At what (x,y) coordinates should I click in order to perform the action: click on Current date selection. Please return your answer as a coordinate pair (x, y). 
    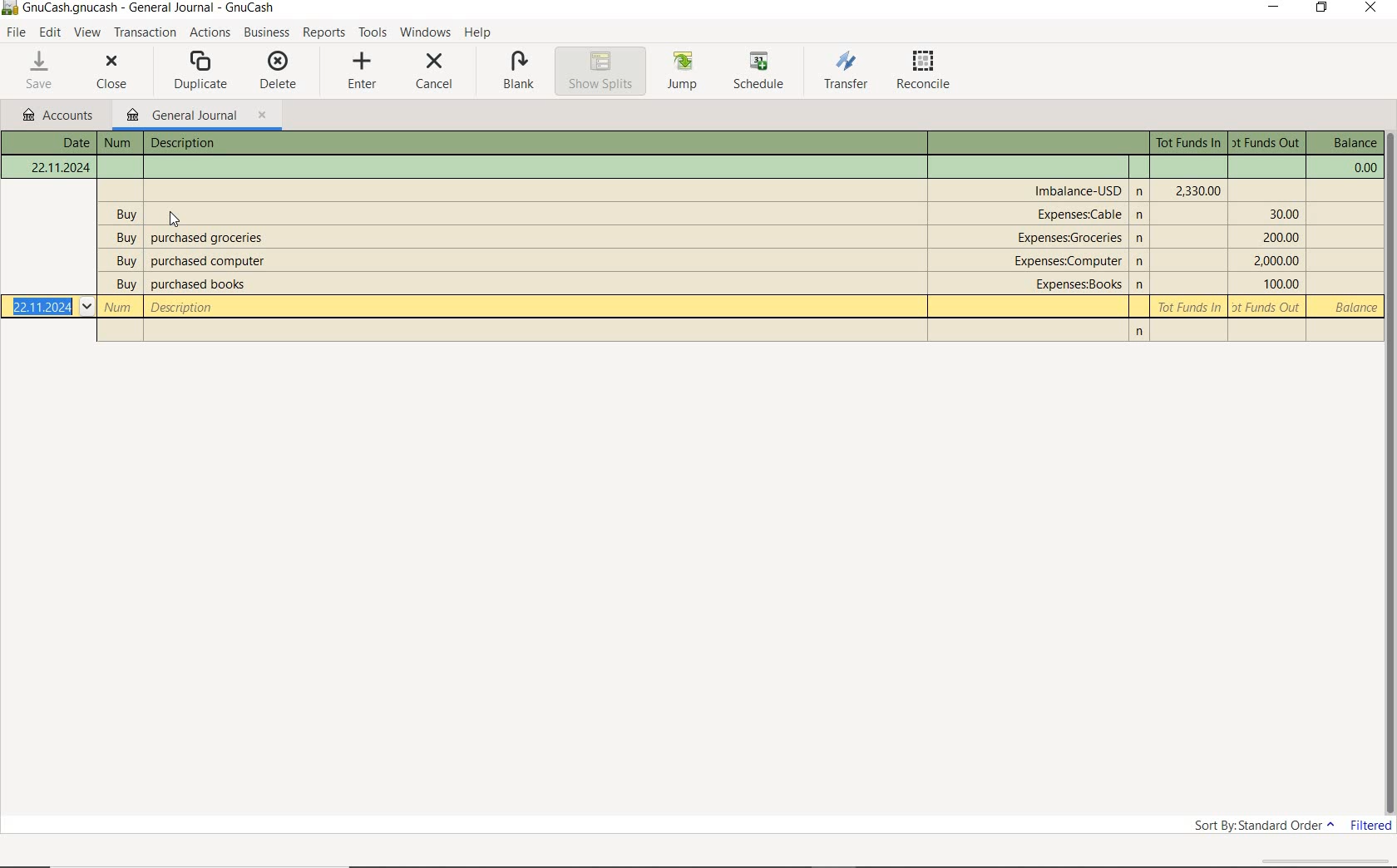
    Looking at the image, I should click on (43, 306).